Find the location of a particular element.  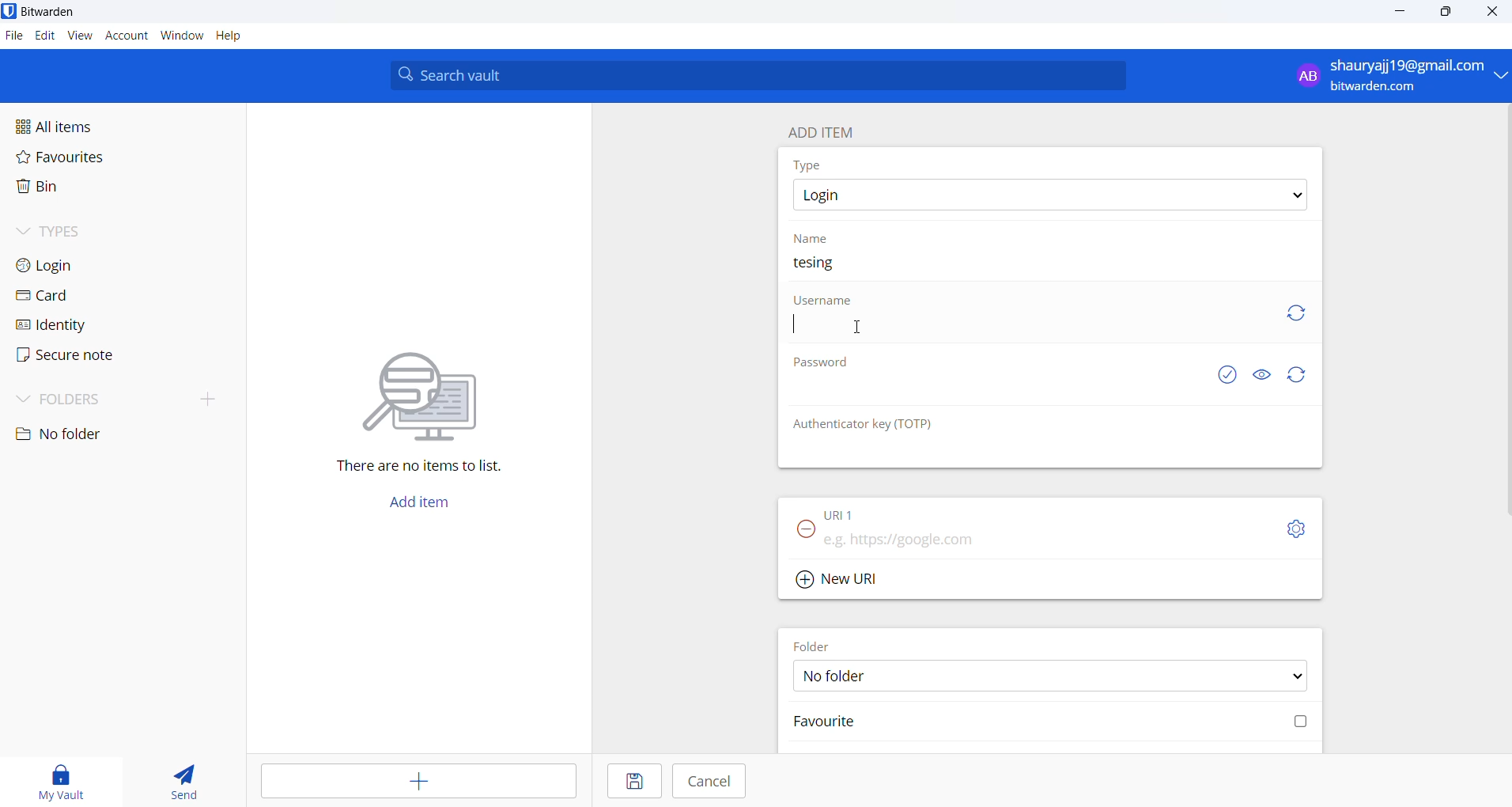

cancel is located at coordinates (709, 781).